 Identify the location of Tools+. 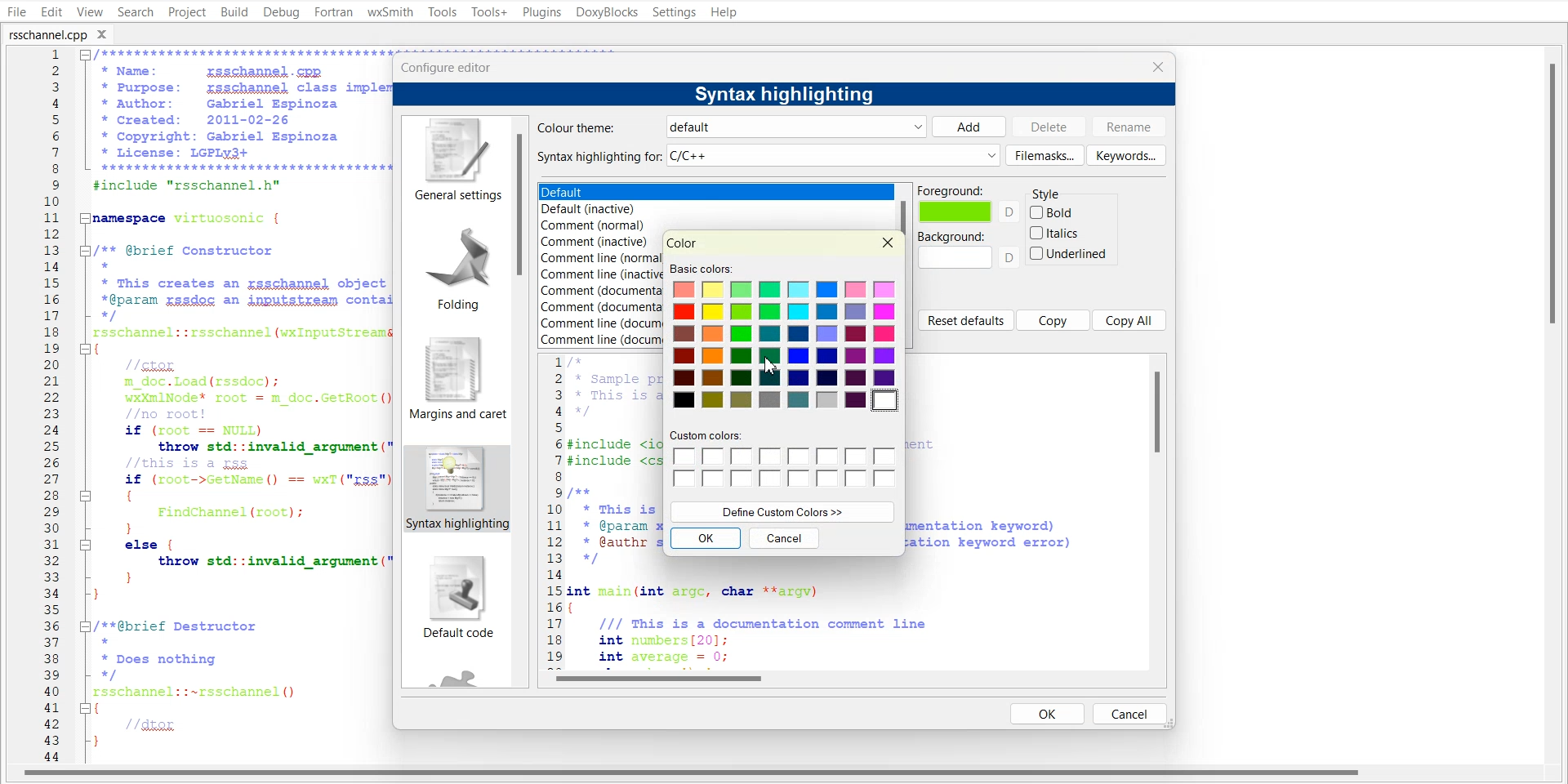
(488, 11).